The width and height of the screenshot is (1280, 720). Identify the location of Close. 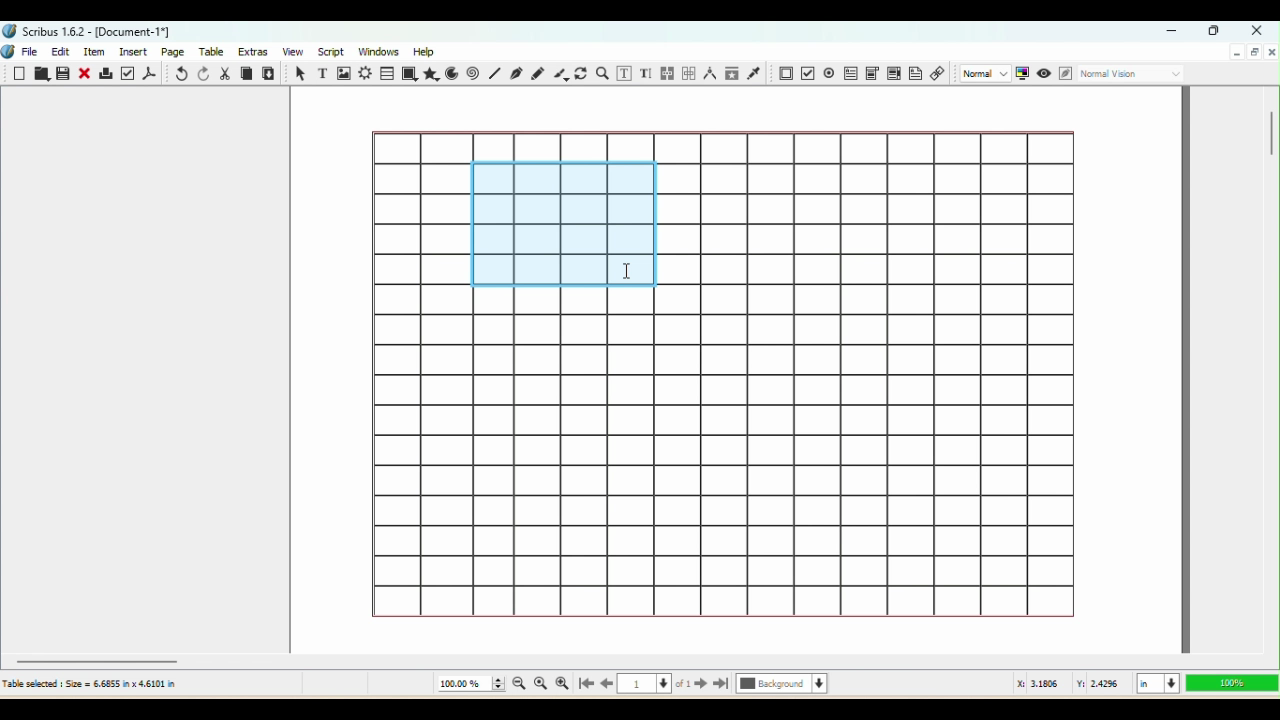
(86, 73).